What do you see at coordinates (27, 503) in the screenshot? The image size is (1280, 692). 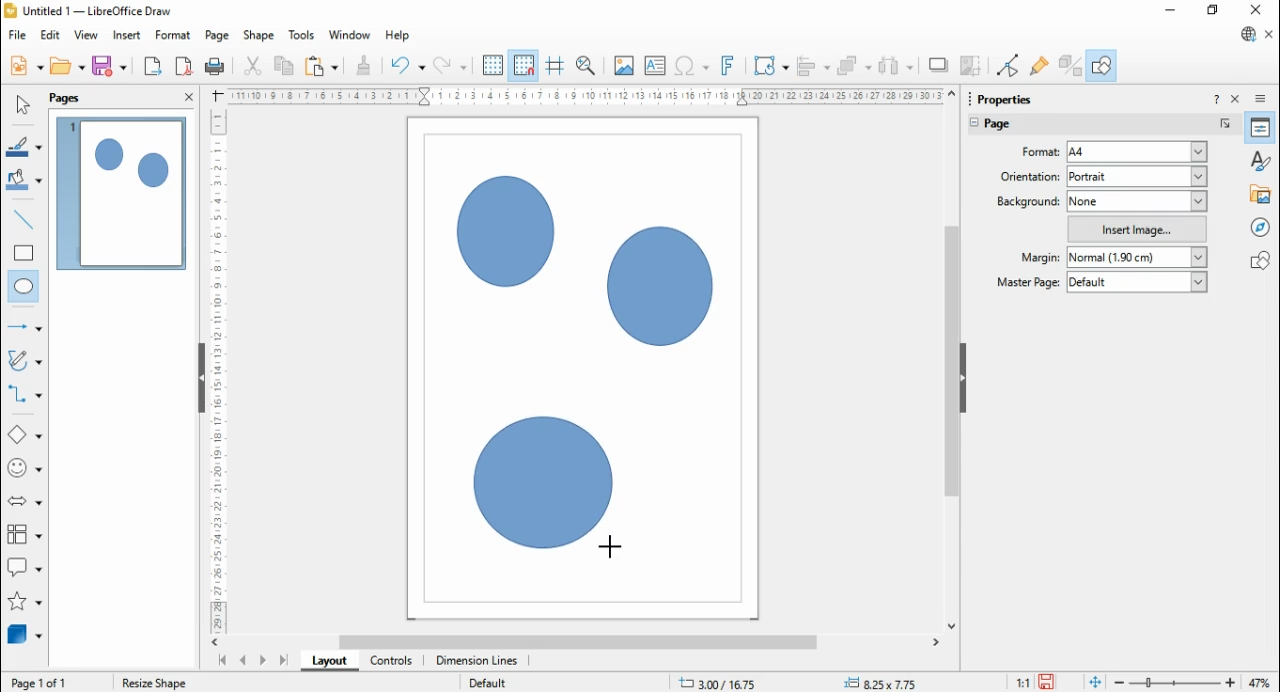 I see `block arrows` at bounding box center [27, 503].